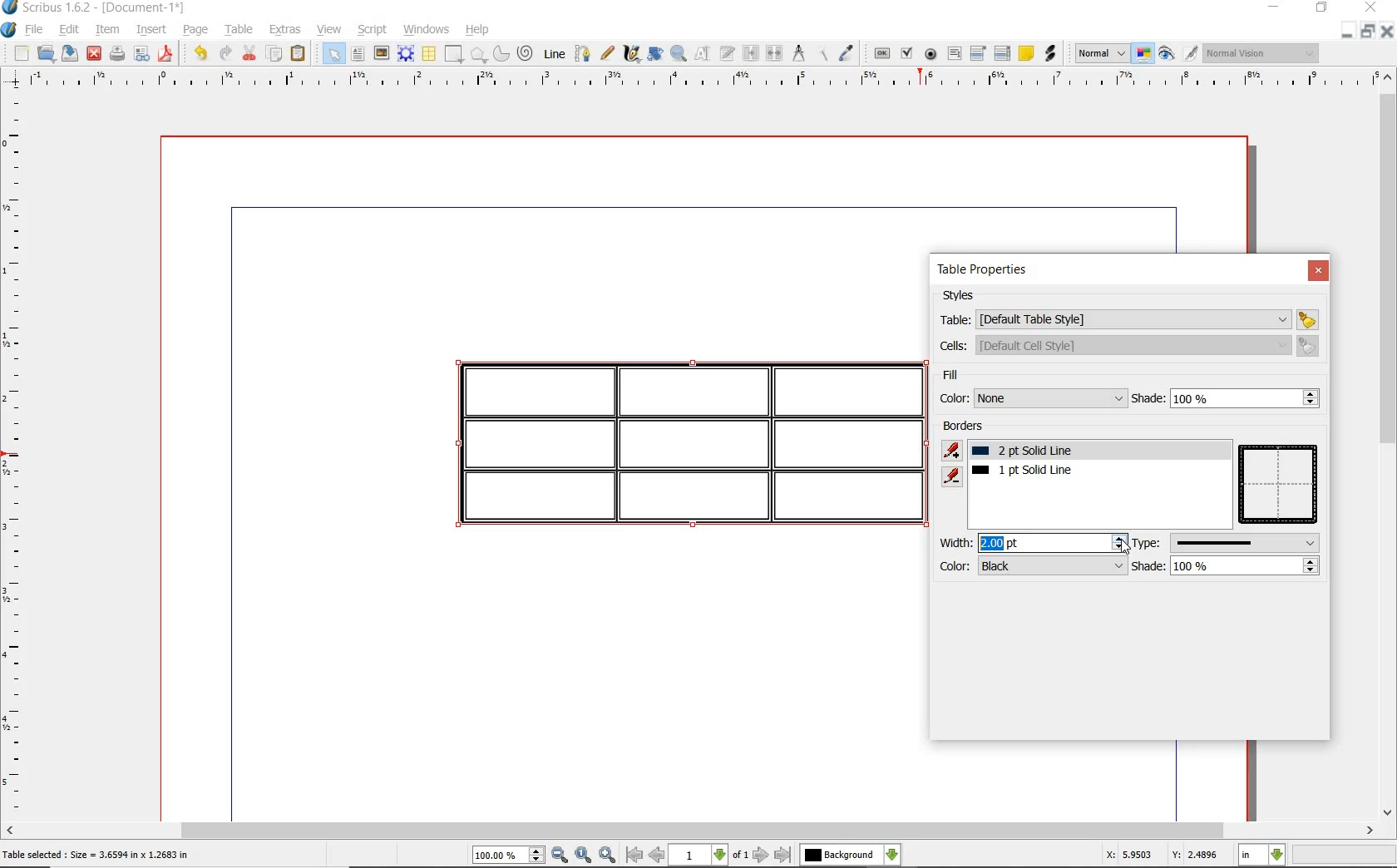 The image size is (1397, 868). What do you see at coordinates (583, 56) in the screenshot?
I see `bezier curve` at bounding box center [583, 56].